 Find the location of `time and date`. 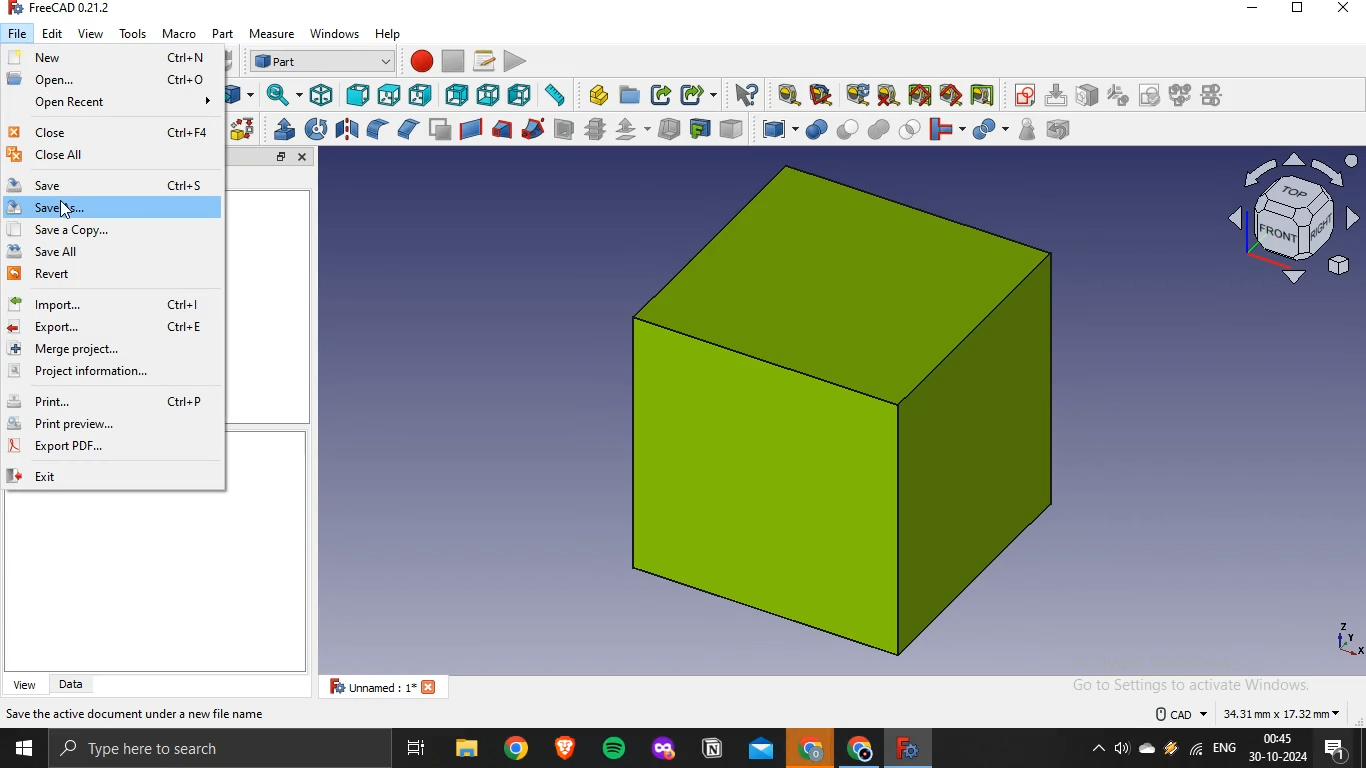

time and date is located at coordinates (1277, 751).